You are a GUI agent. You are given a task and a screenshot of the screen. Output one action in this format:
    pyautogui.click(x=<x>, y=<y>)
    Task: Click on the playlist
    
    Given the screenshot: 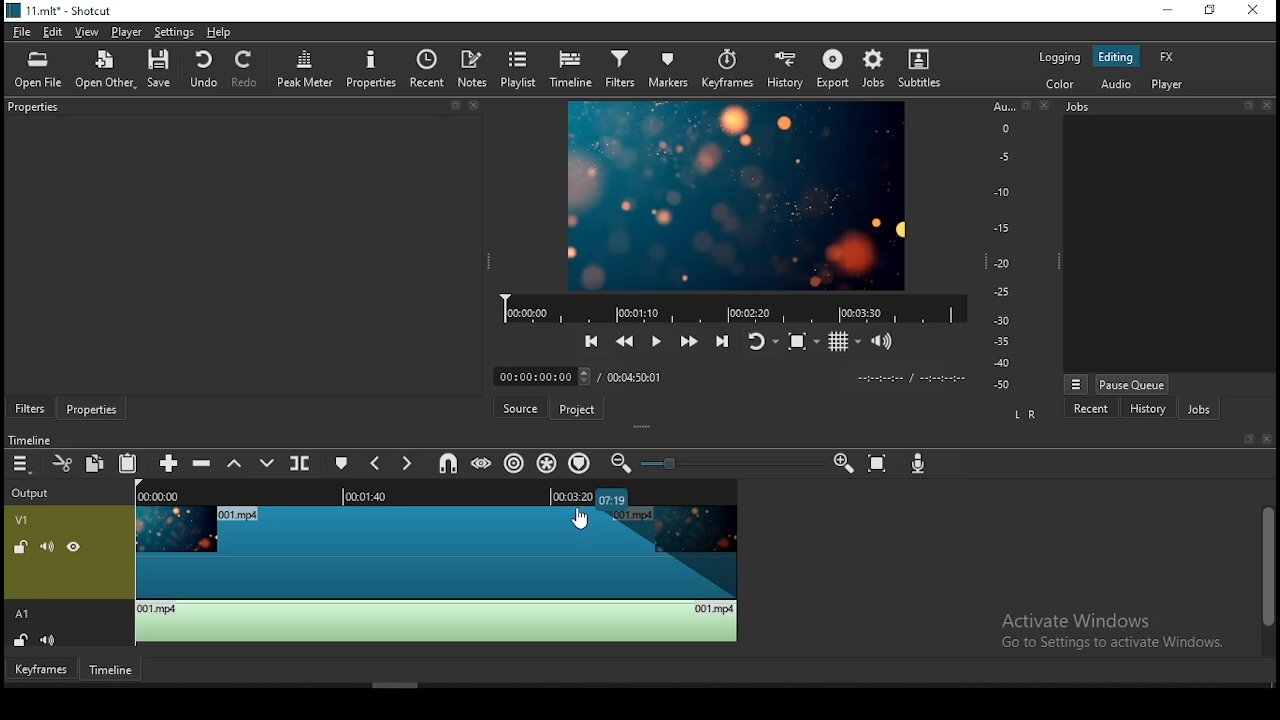 What is the action you would take?
    pyautogui.click(x=522, y=72)
    